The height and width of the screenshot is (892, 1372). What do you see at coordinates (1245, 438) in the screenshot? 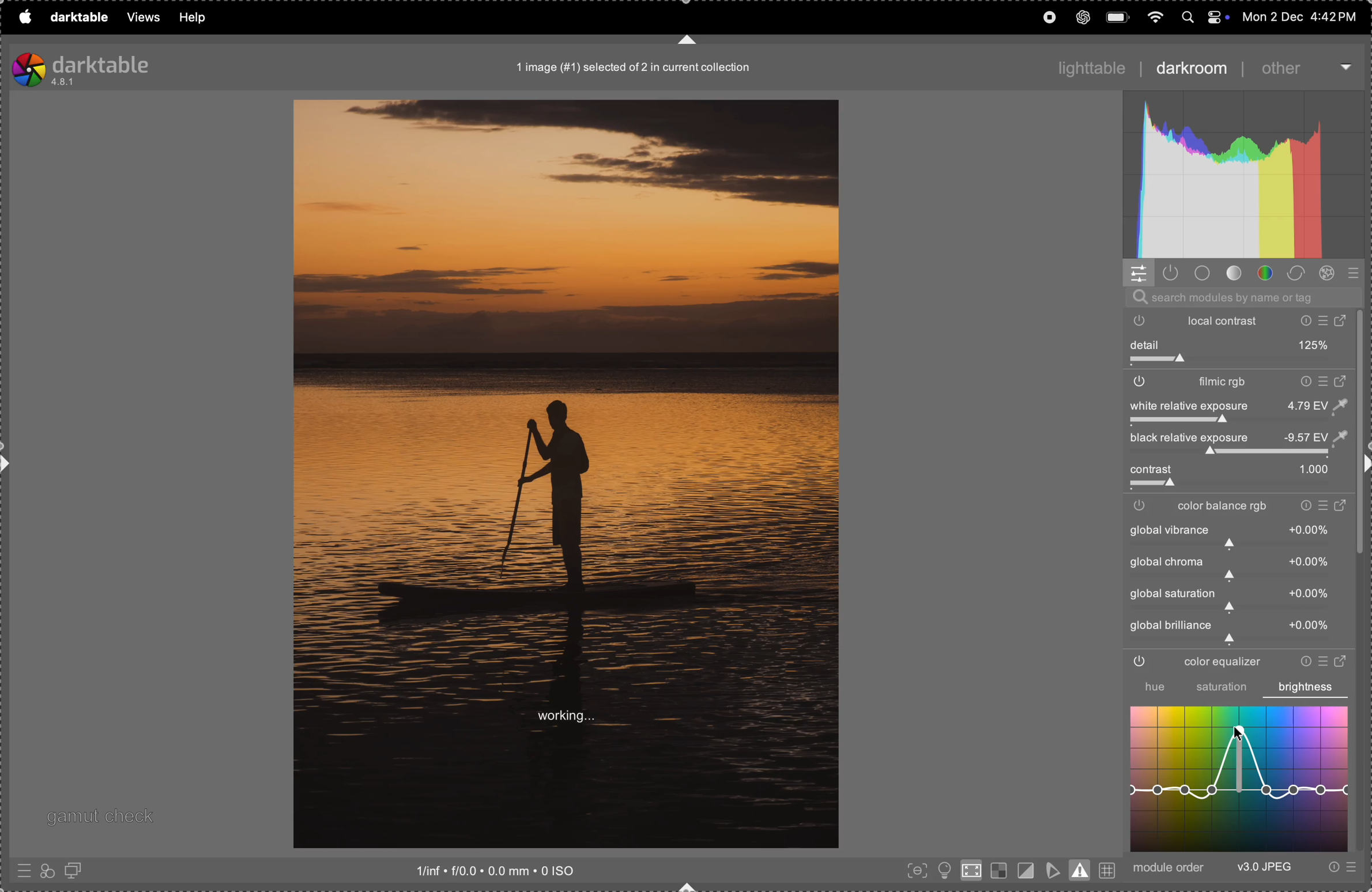
I see `black relavtive exposure` at bounding box center [1245, 438].